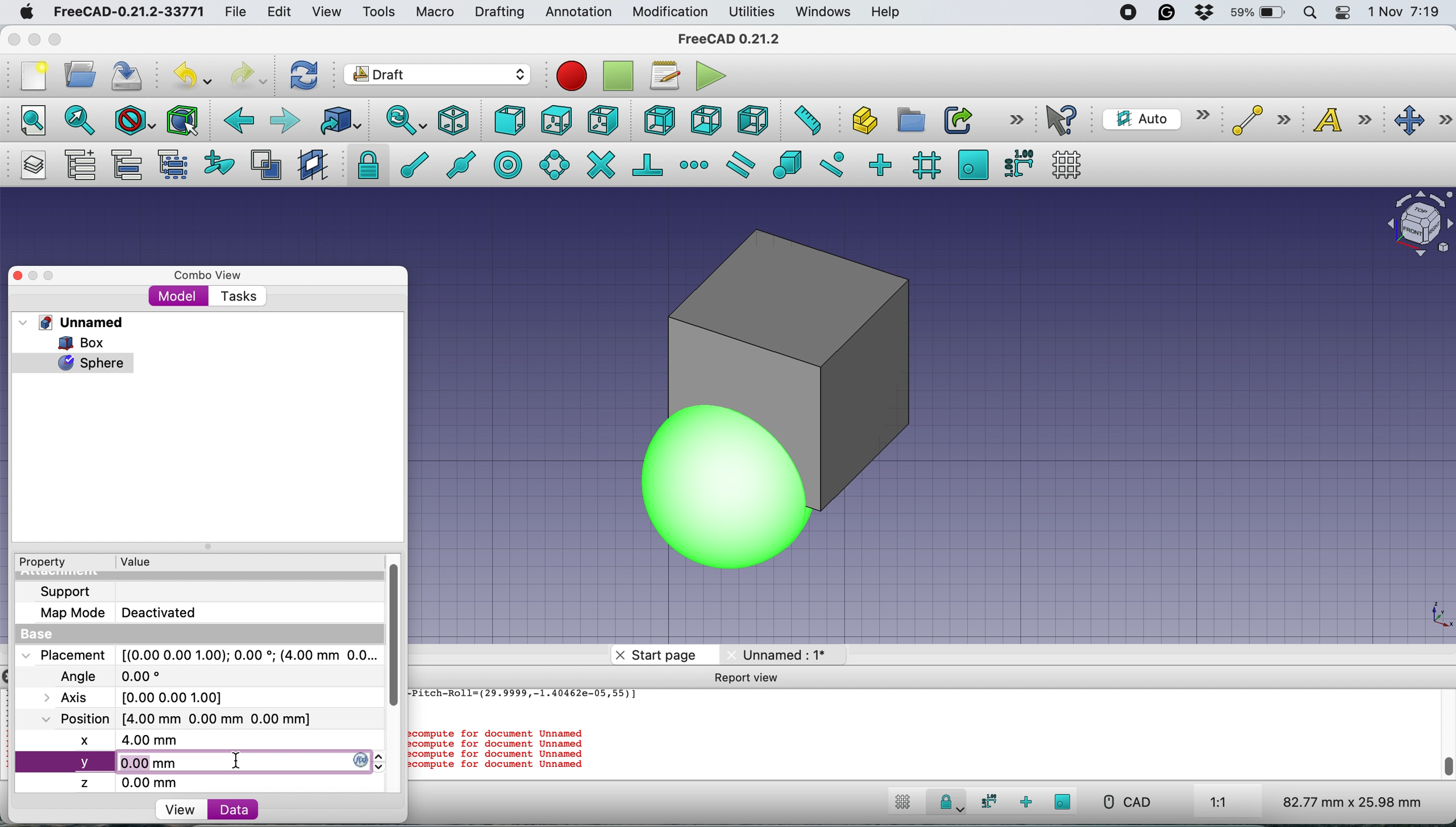 The height and width of the screenshot is (827, 1456). Describe the element at coordinates (658, 120) in the screenshot. I see `rear` at that location.